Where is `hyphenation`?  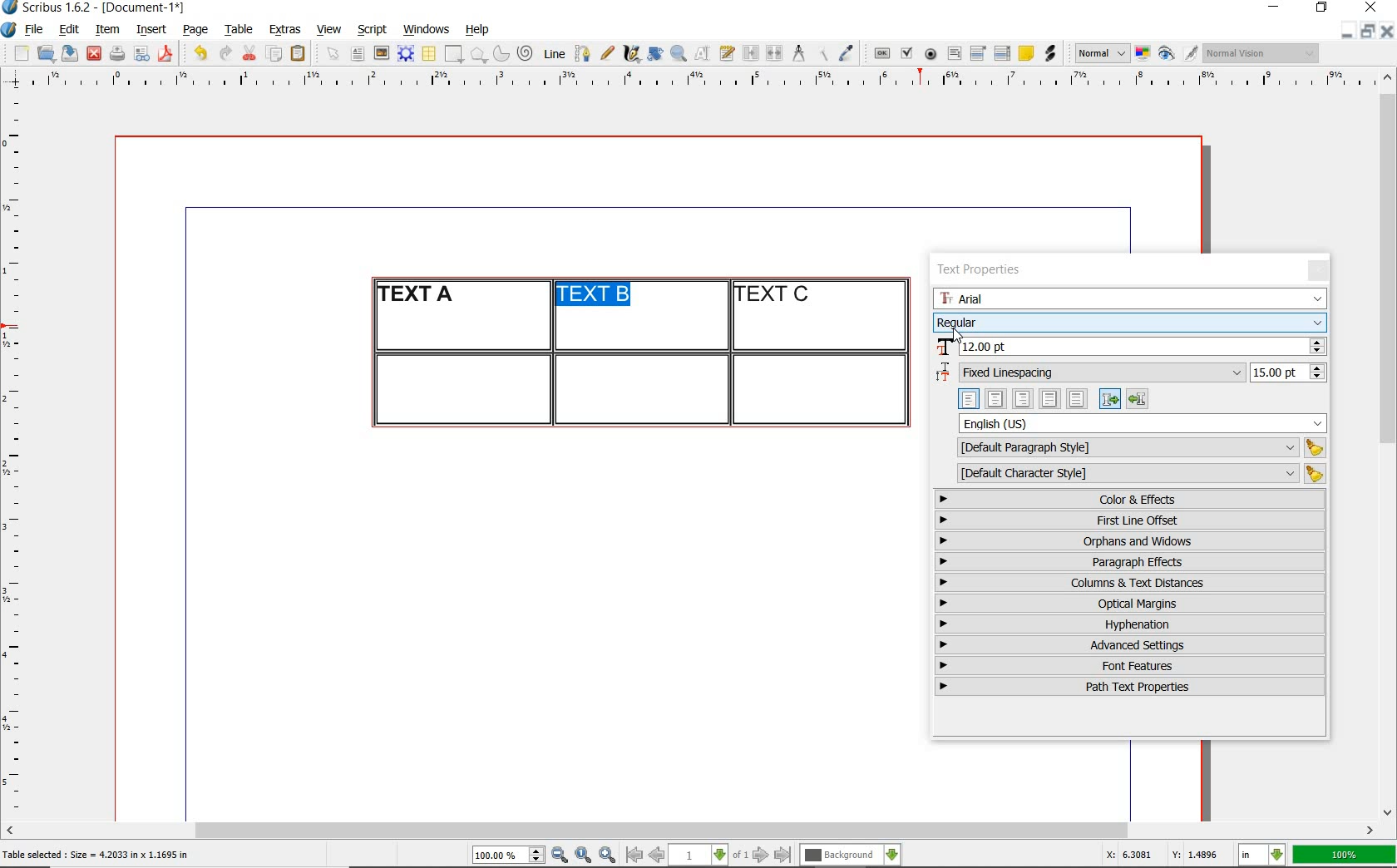
hyphenation is located at coordinates (1130, 624).